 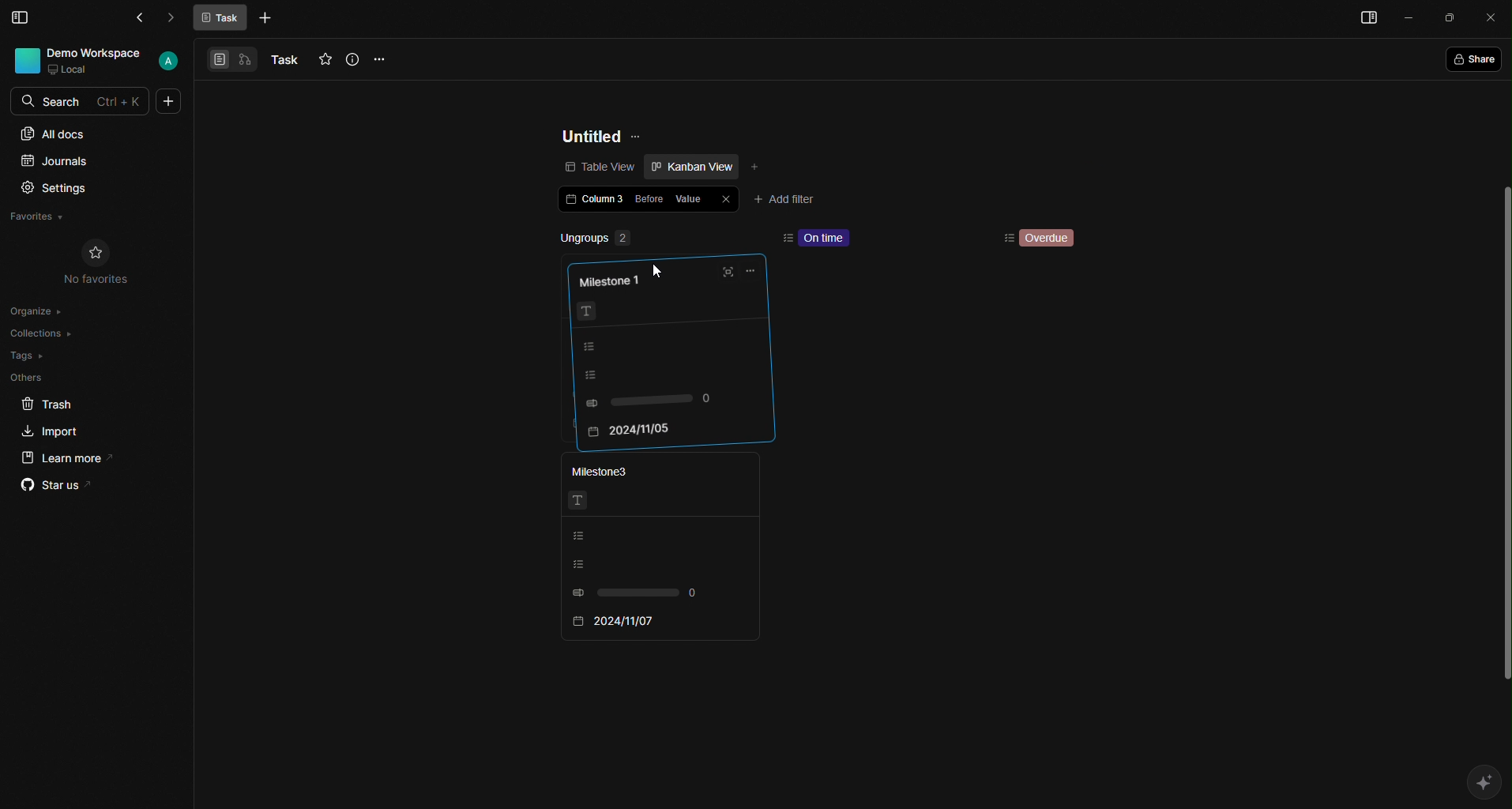 What do you see at coordinates (599, 278) in the screenshot?
I see `Milestone 1` at bounding box center [599, 278].